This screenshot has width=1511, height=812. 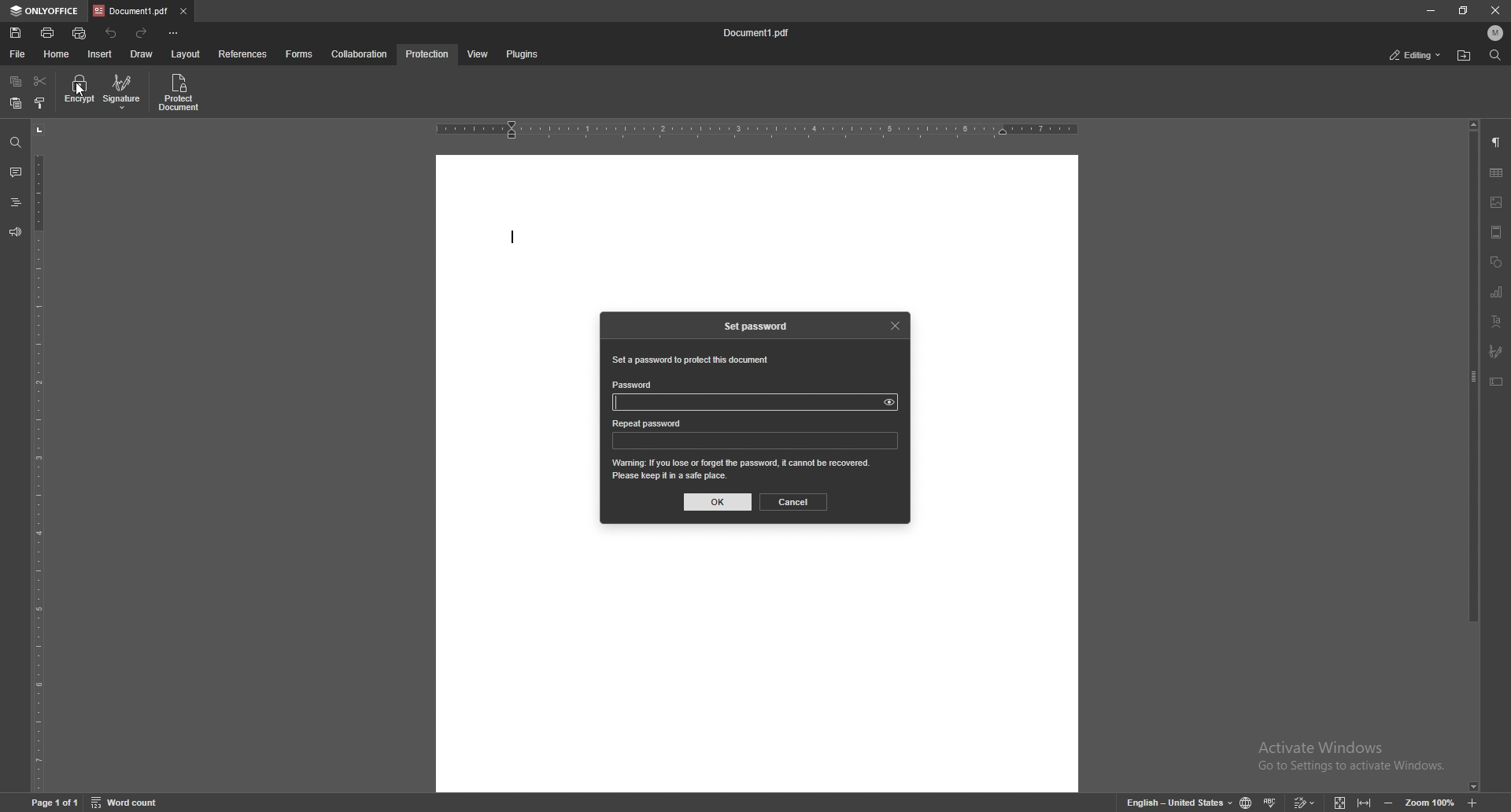 What do you see at coordinates (793, 502) in the screenshot?
I see `cancel` at bounding box center [793, 502].